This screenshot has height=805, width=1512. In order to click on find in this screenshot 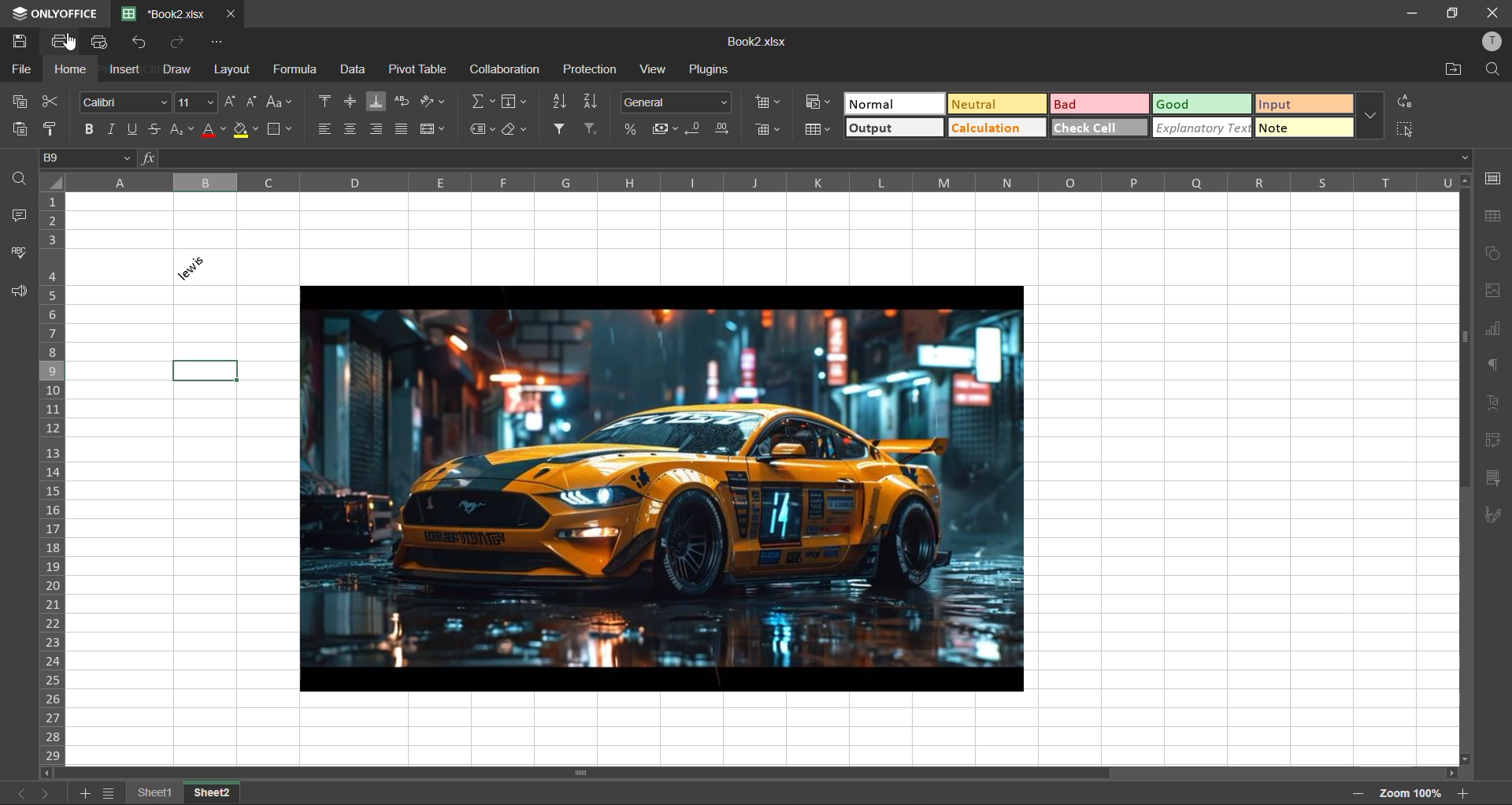, I will do `click(23, 180)`.